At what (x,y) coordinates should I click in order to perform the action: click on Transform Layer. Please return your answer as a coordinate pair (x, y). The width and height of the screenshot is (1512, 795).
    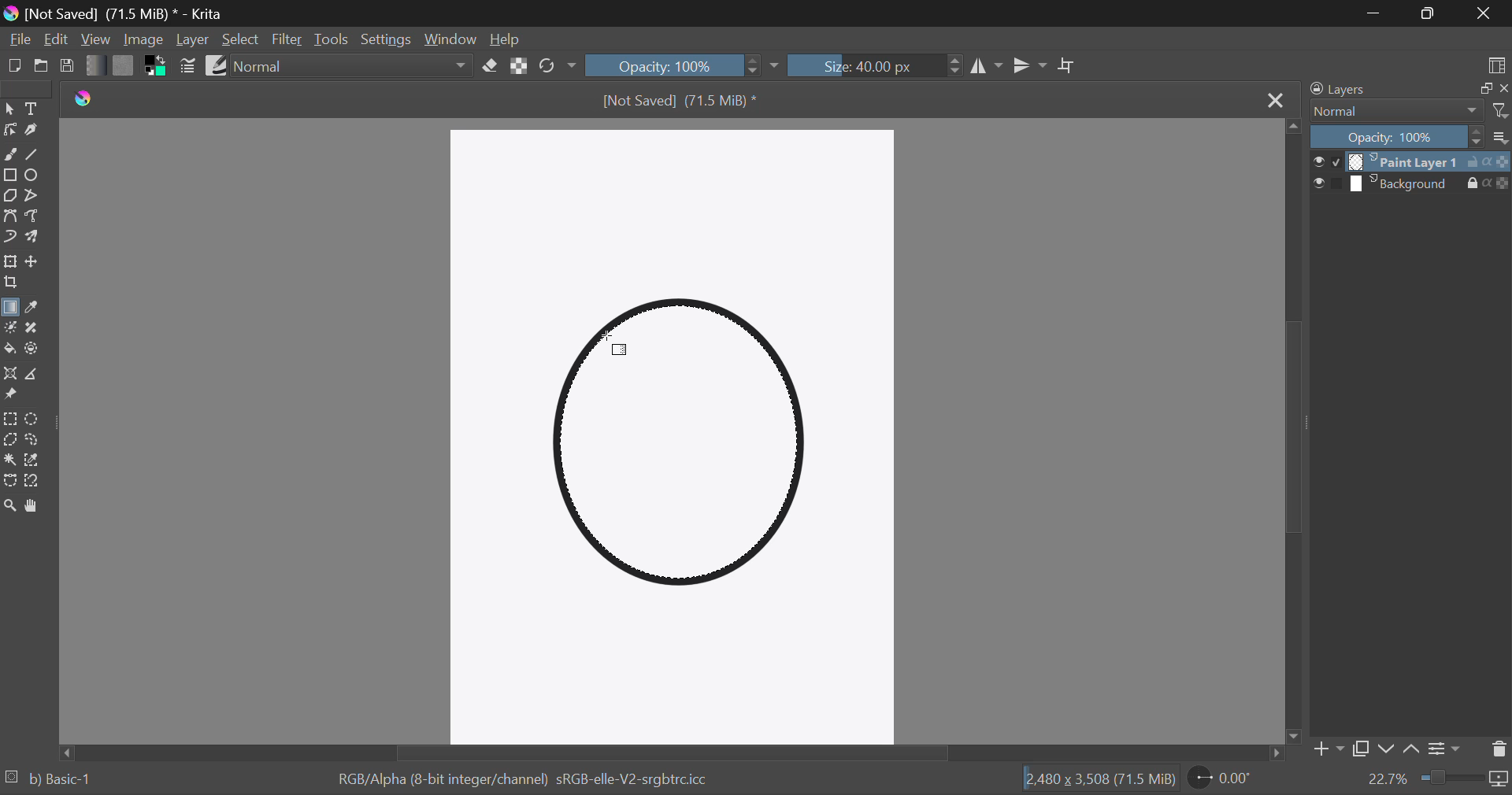
    Looking at the image, I should click on (11, 263).